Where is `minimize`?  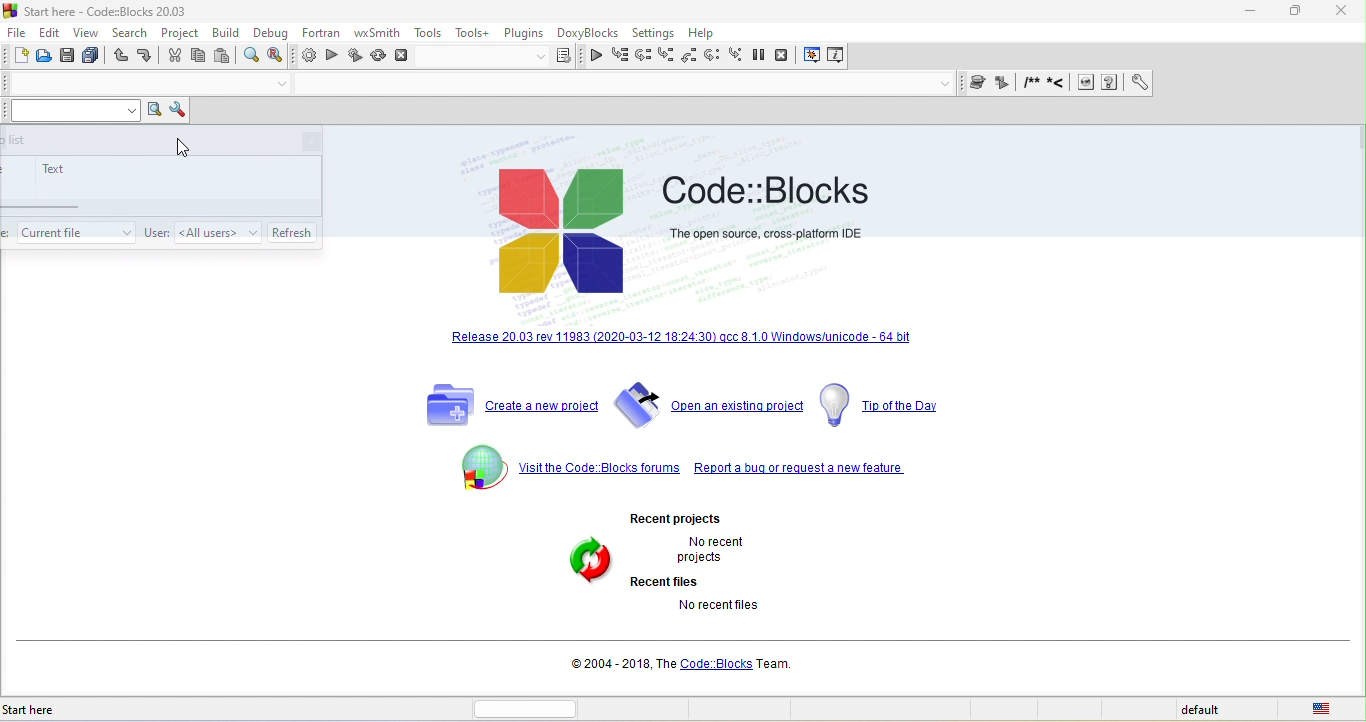
minimize is located at coordinates (1256, 11).